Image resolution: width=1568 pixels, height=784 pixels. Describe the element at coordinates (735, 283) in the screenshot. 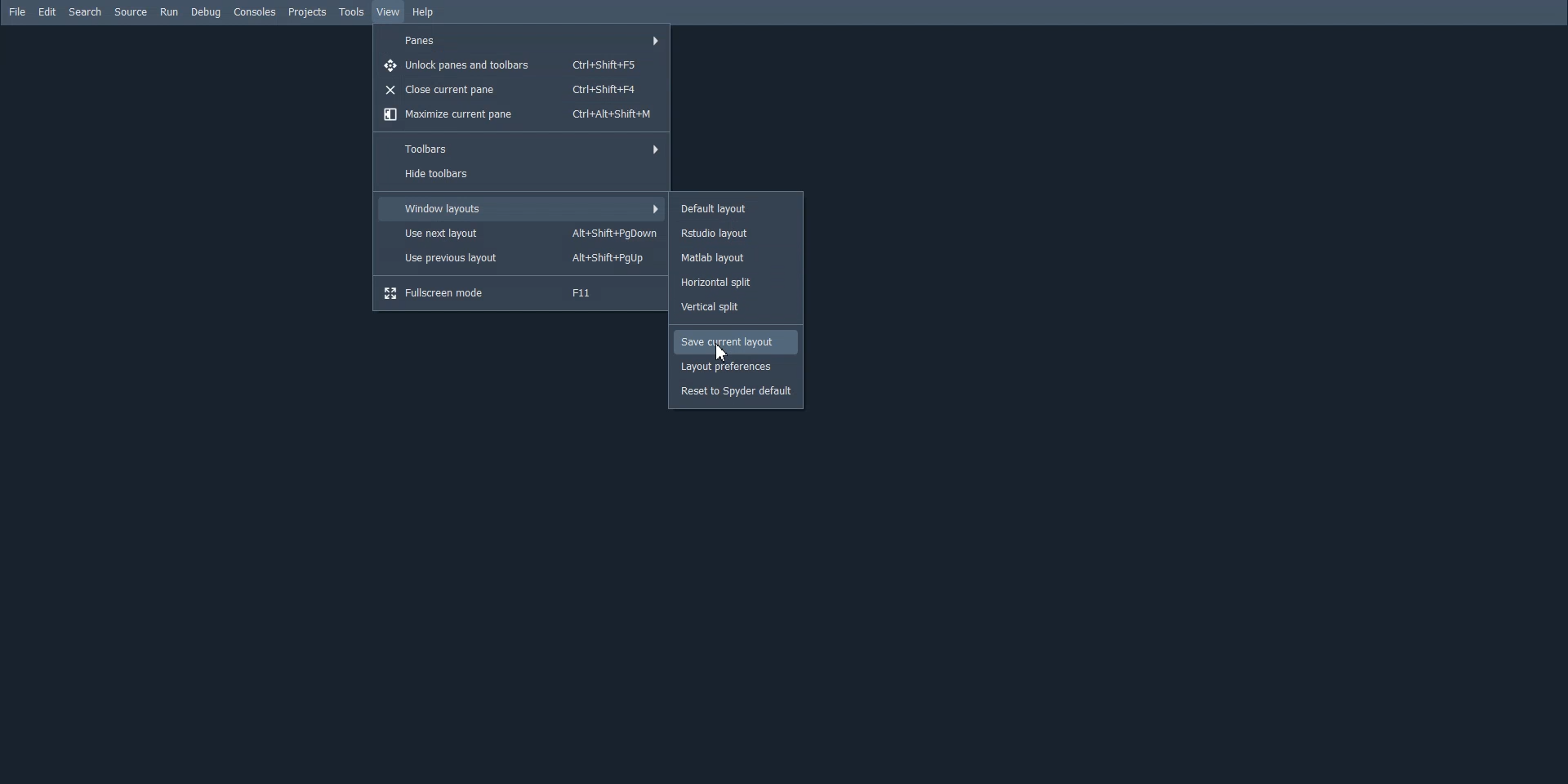

I see `Horizontal split` at that location.